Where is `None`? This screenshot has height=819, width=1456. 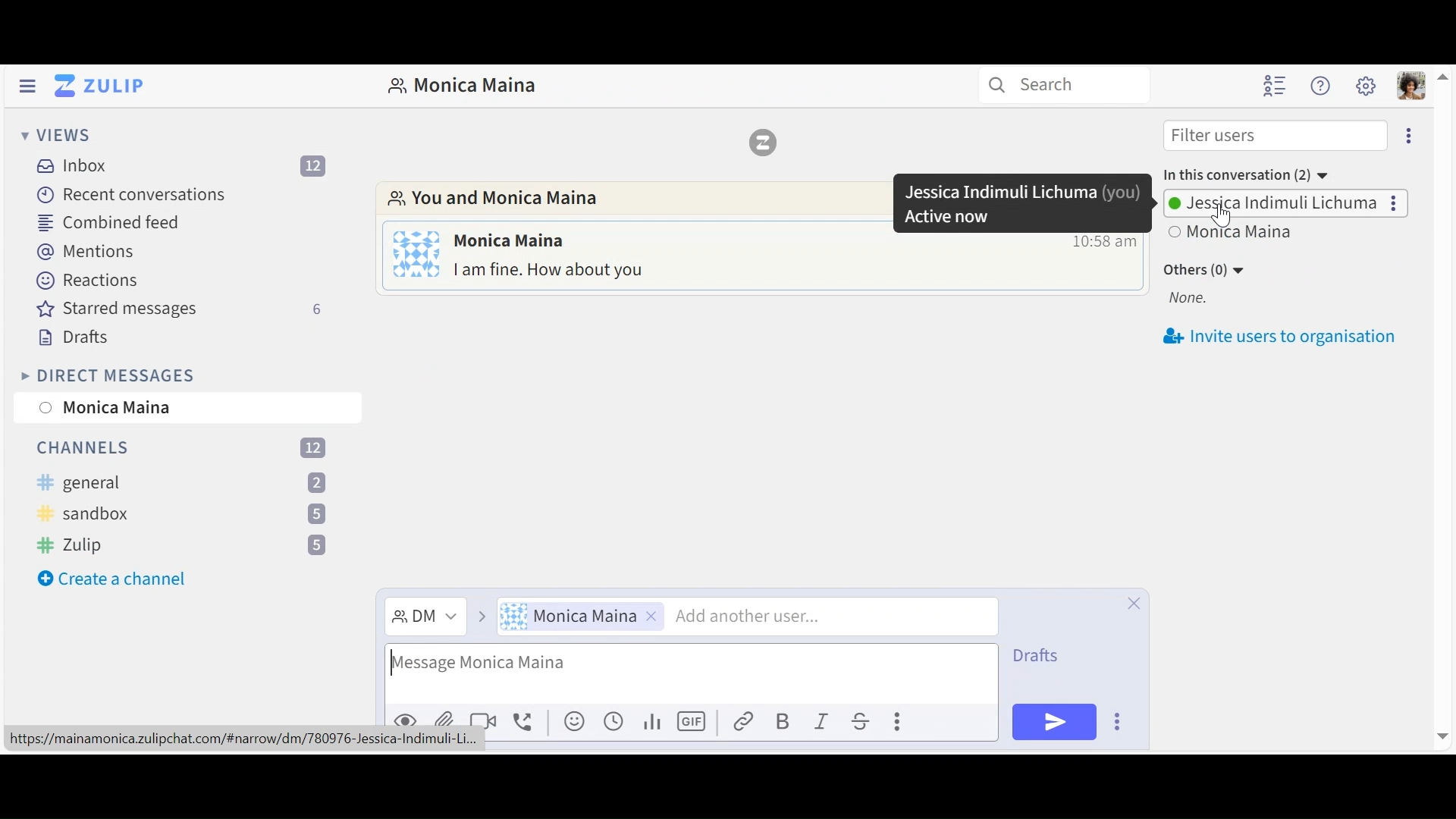 None is located at coordinates (1201, 297).